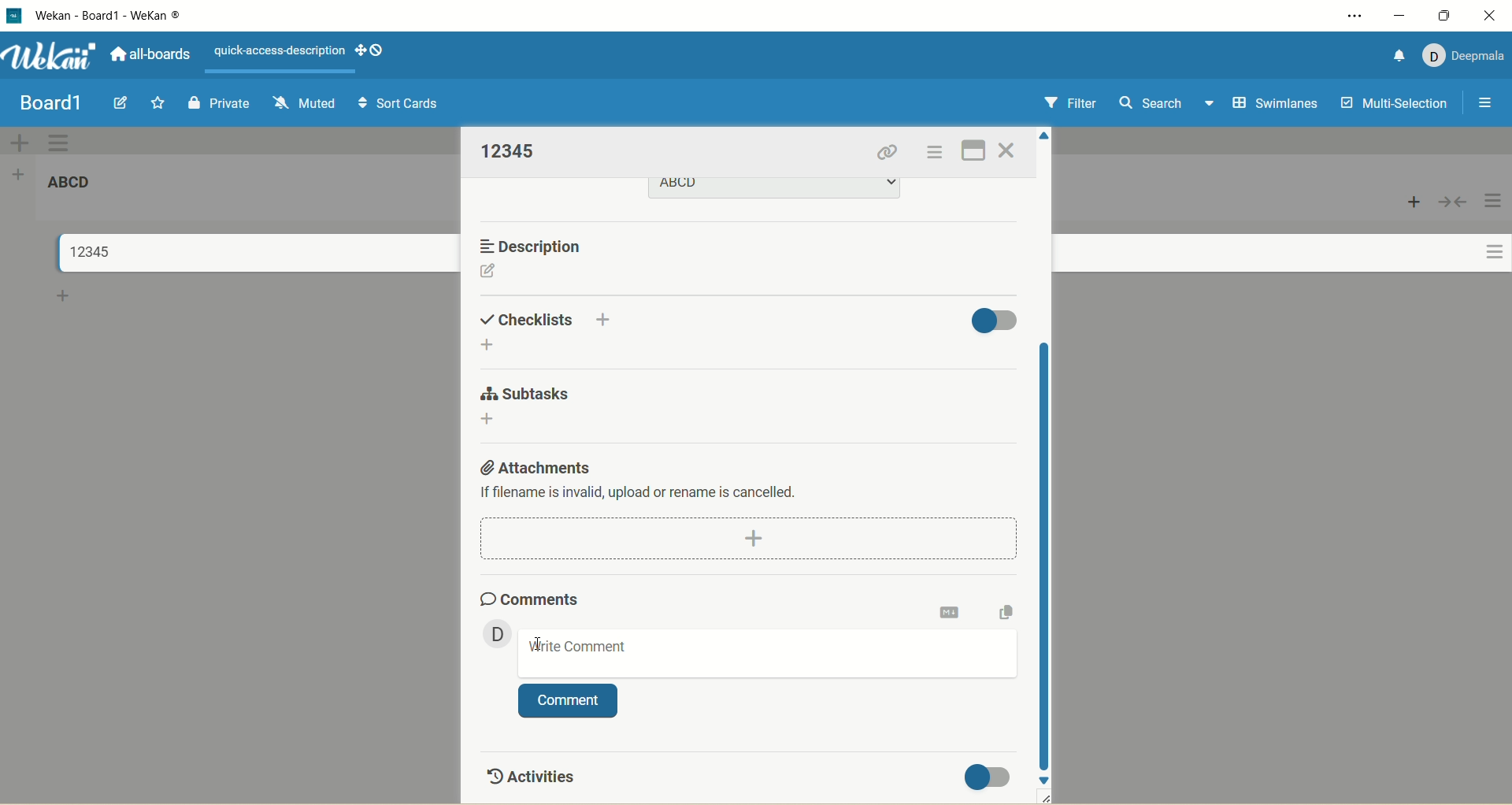 Image resolution: width=1512 pixels, height=805 pixels. What do you see at coordinates (1393, 54) in the screenshot?
I see `notification` at bounding box center [1393, 54].